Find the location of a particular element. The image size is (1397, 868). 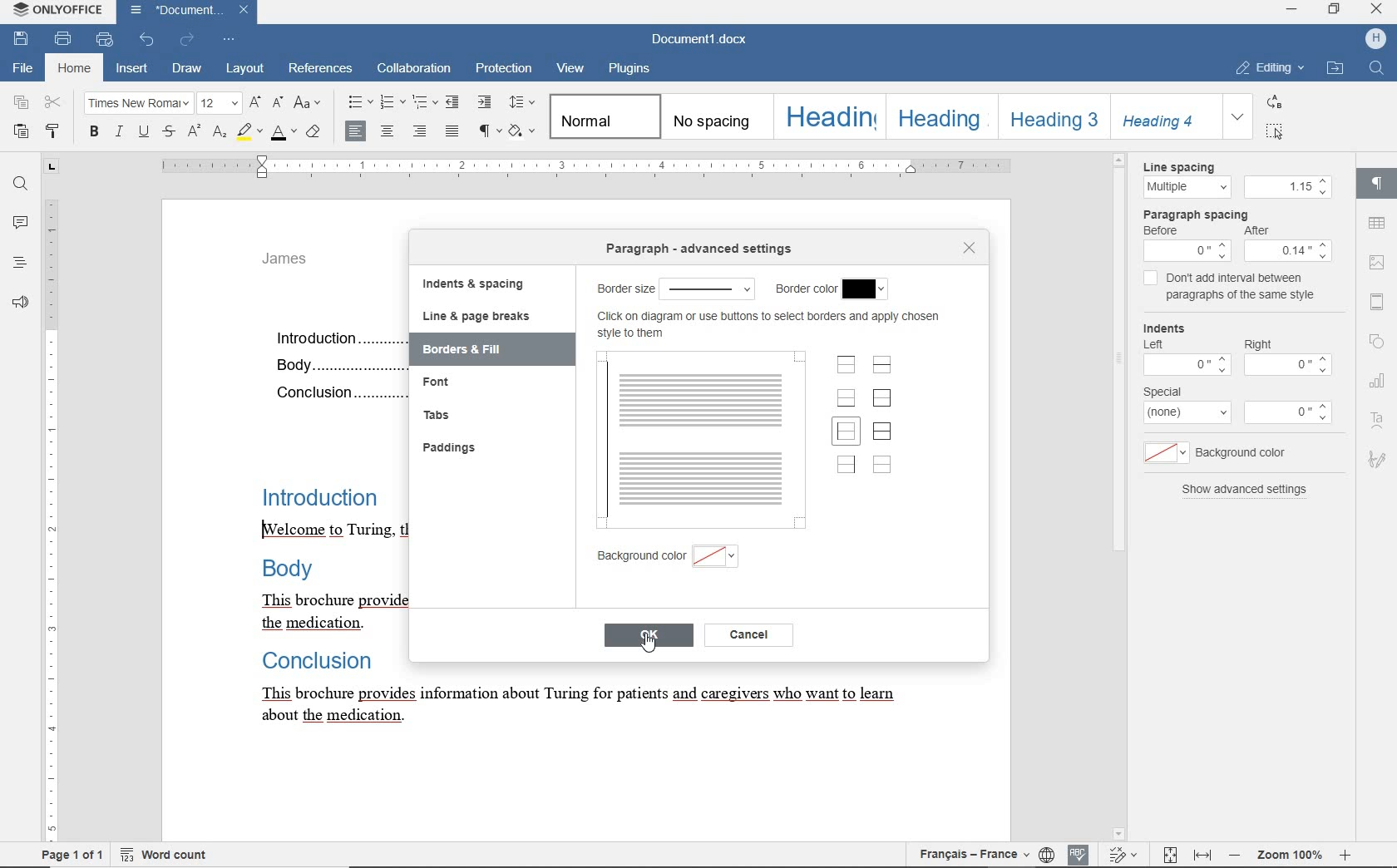

image is located at coordinates (1378, 262).